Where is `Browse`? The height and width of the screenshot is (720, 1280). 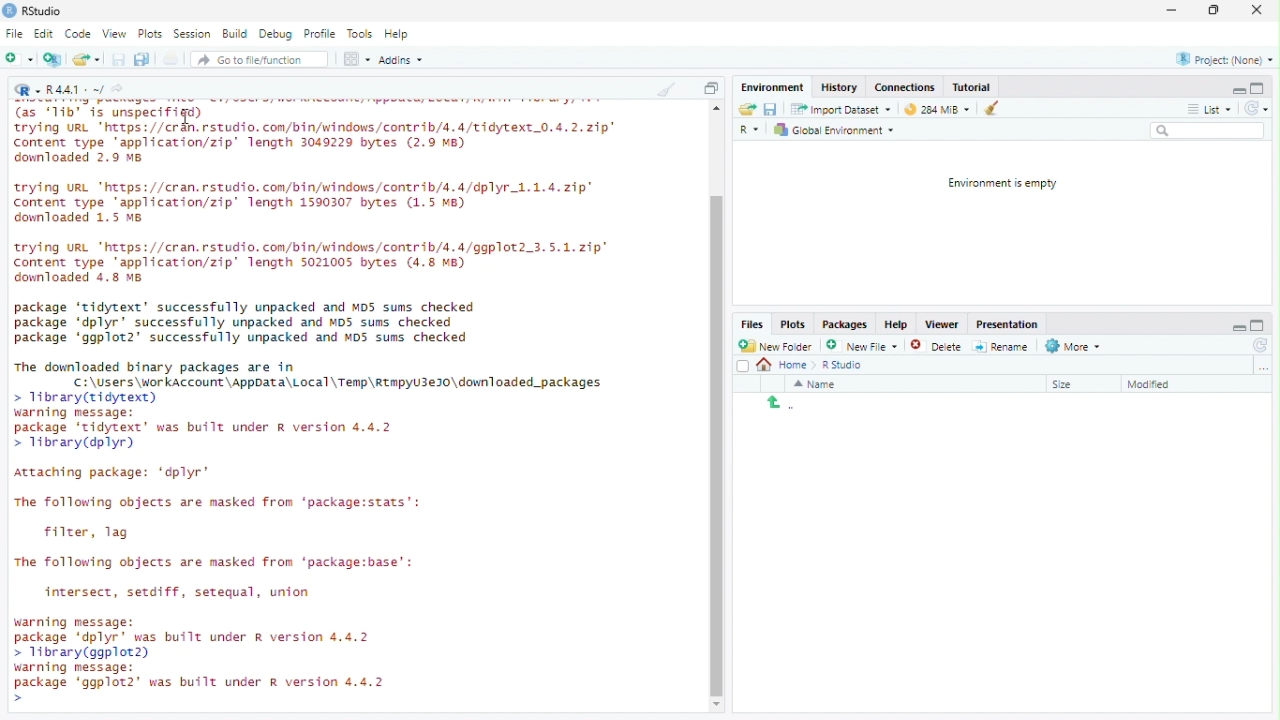
Browse is located at coordinates (1264, 367).